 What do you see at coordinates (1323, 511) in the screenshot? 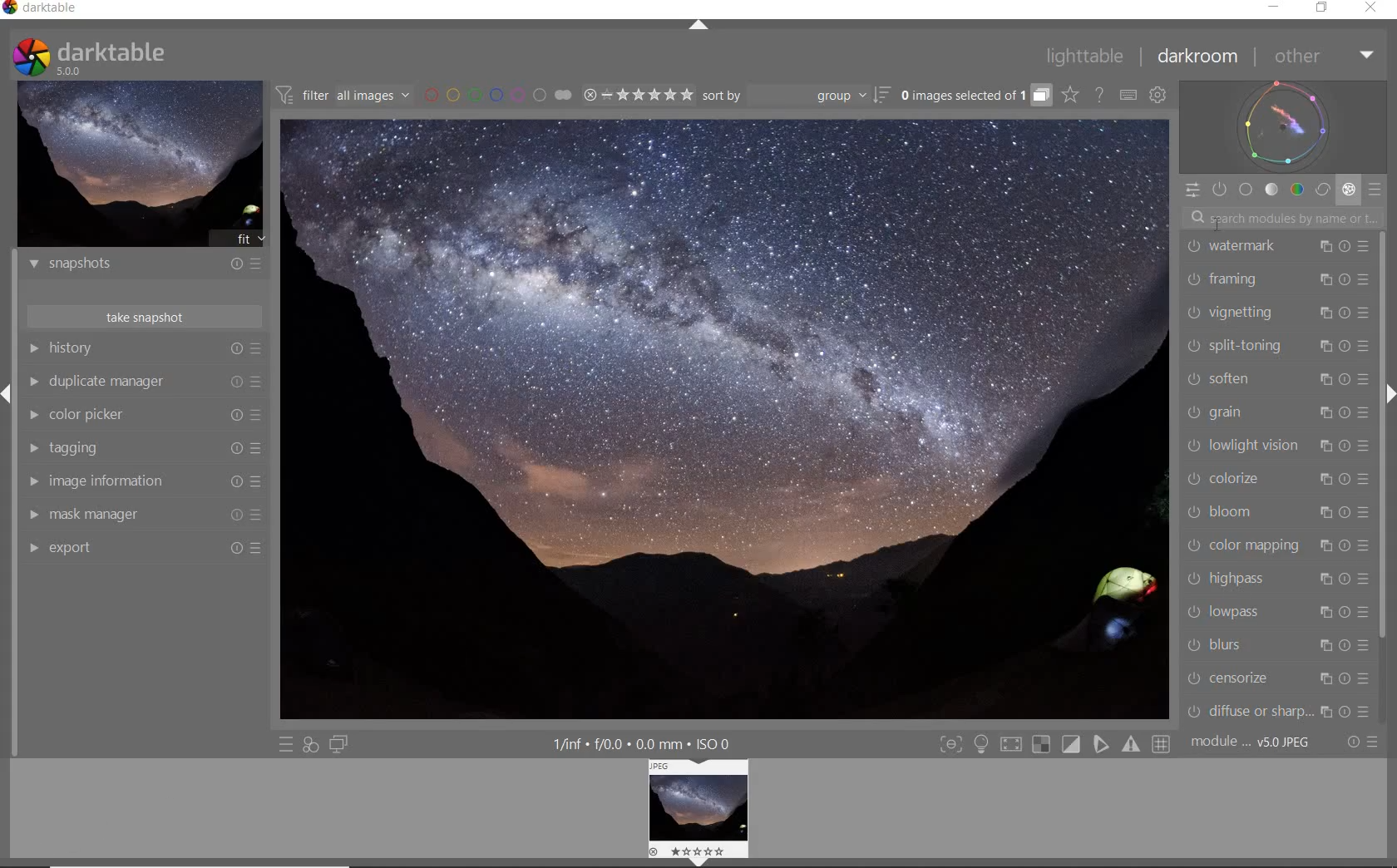
I see `multiple instance actions` at bounding box center [1323, 511].